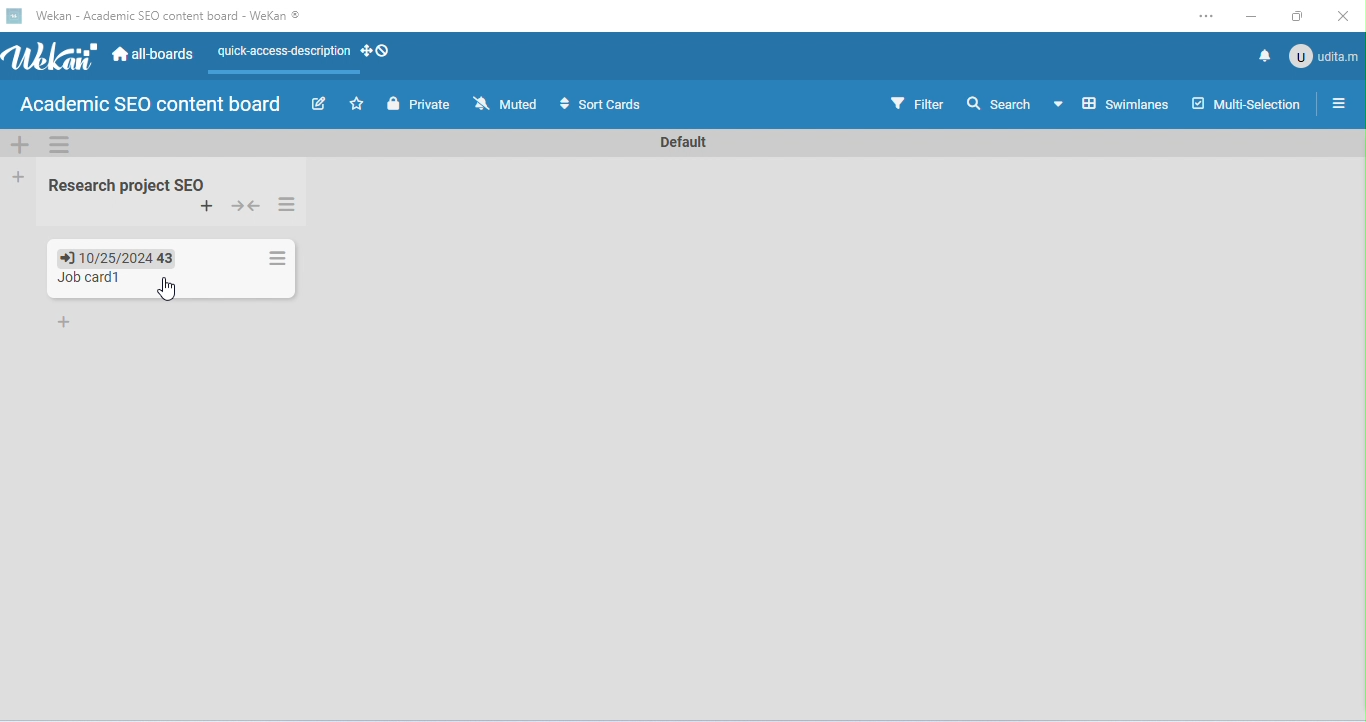 This screenshot has height=722, width=1366. What do you see at coordinates (418, 104) in the screenshot?
I see `private` at bounding box center [418, 104].